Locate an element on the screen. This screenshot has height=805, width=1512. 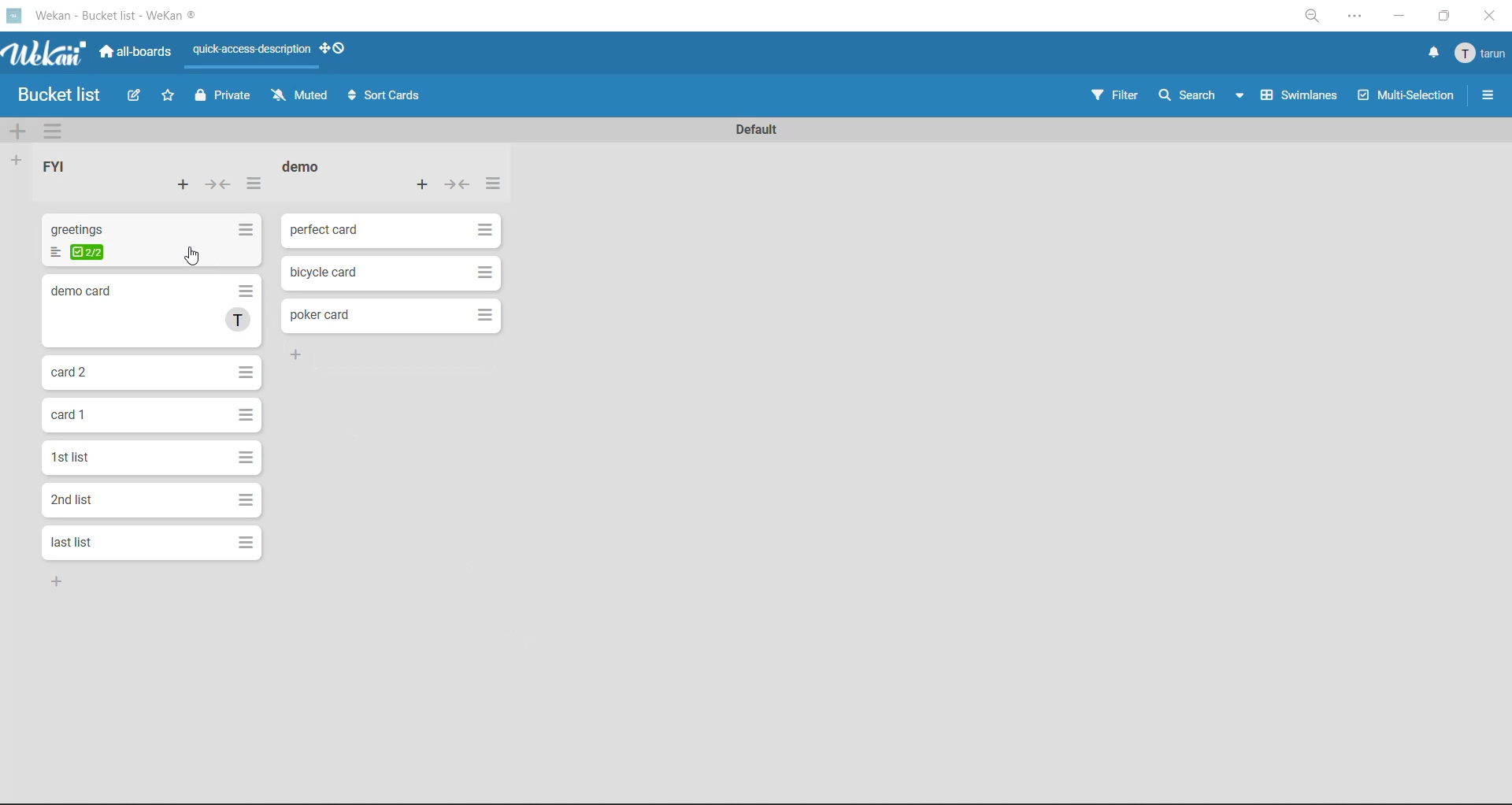
cursor is located at coordinates (193, 258).